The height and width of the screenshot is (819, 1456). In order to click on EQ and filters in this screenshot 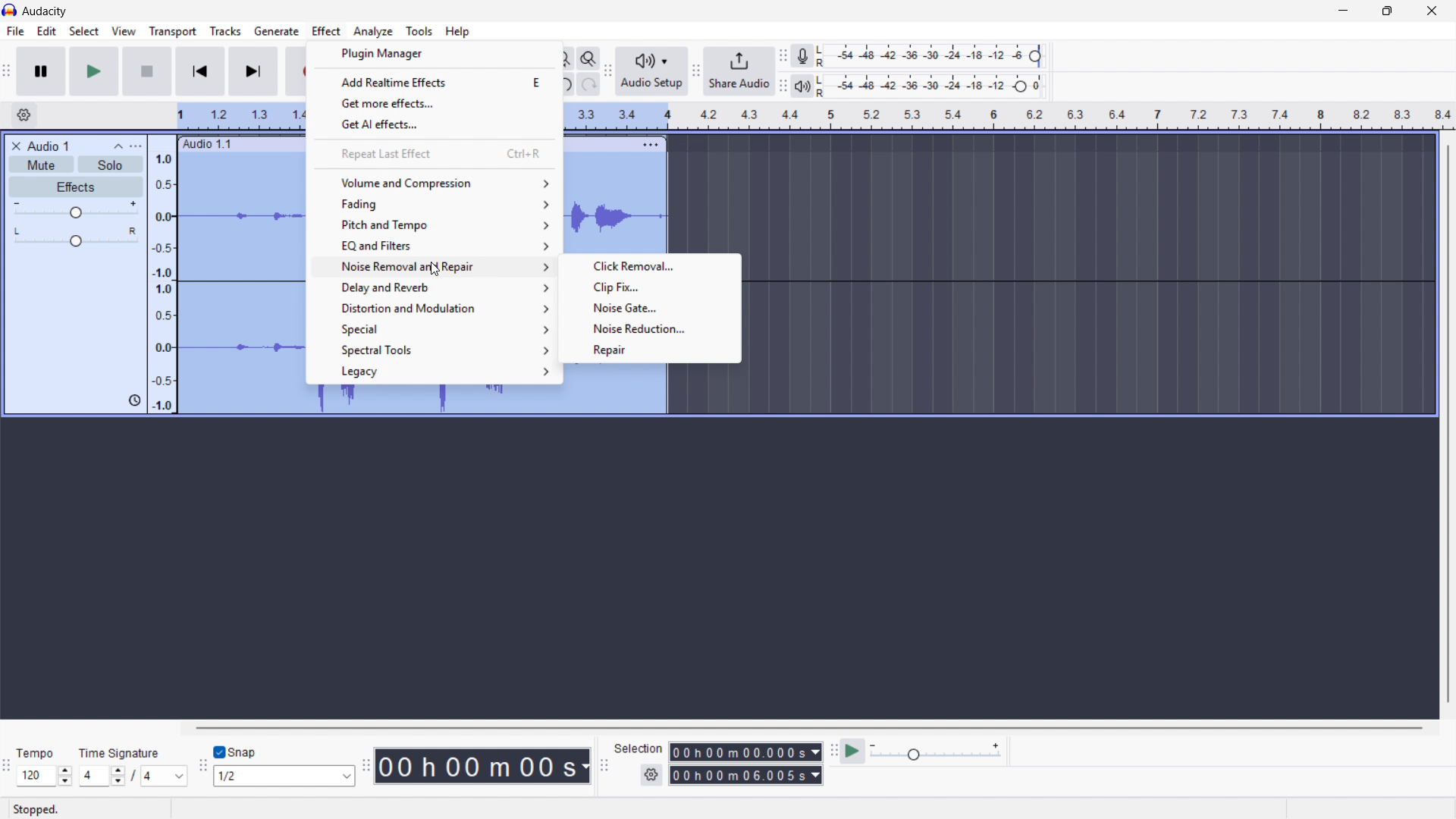, I will do `click(435, 245)`.